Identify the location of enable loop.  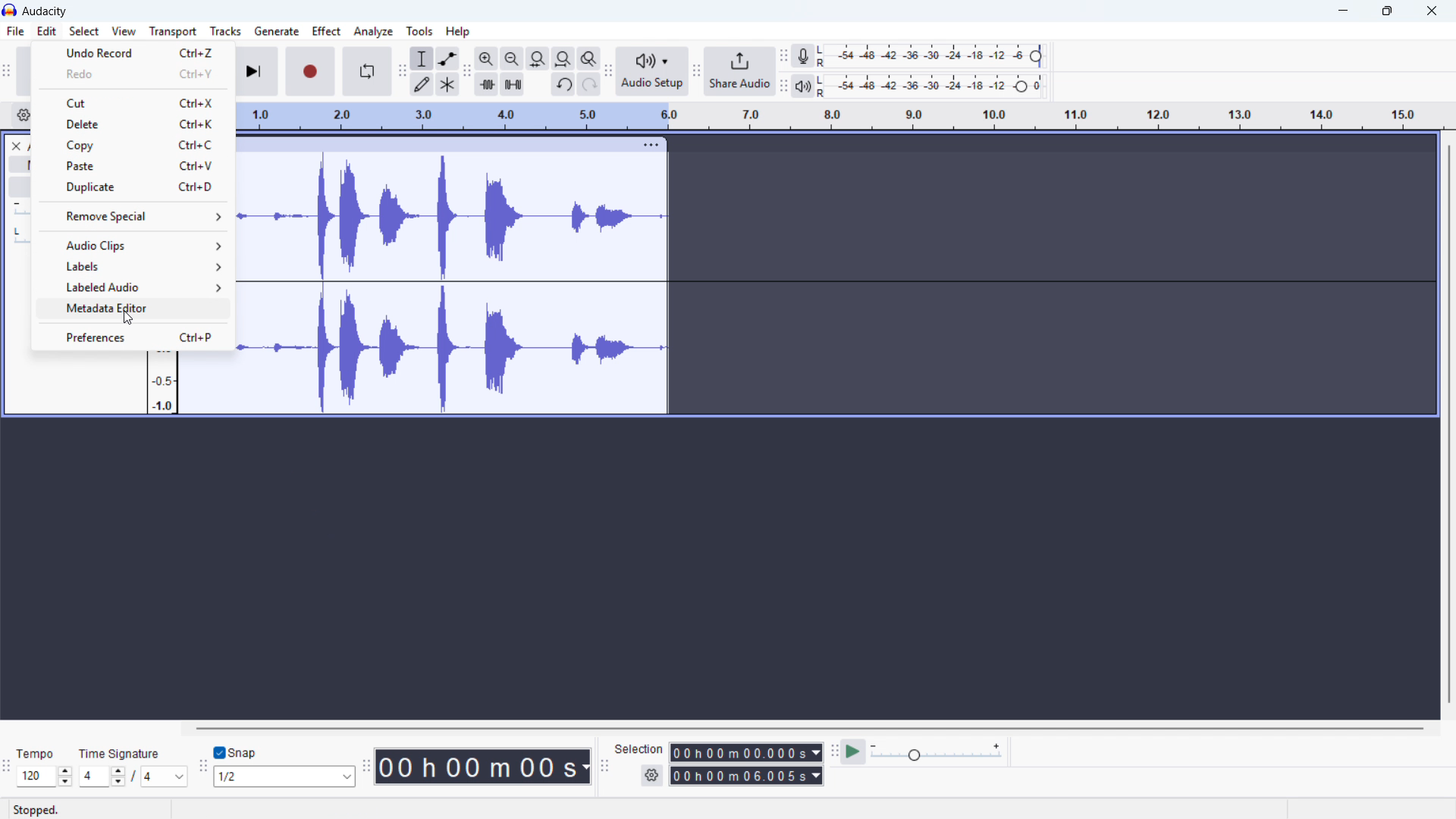
(369, 71).